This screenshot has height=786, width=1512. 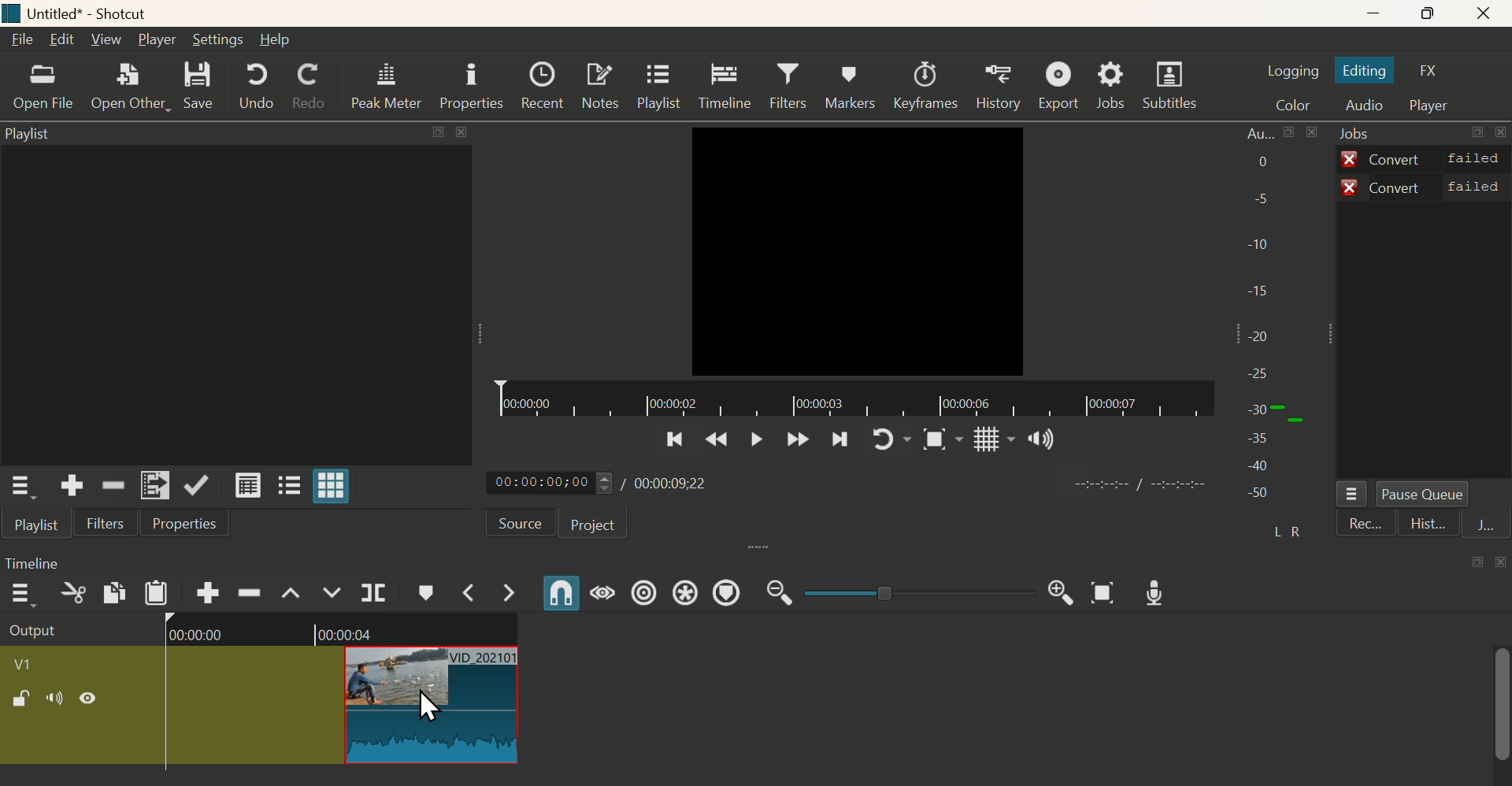 I want to click on , so click(x=103, y=525).